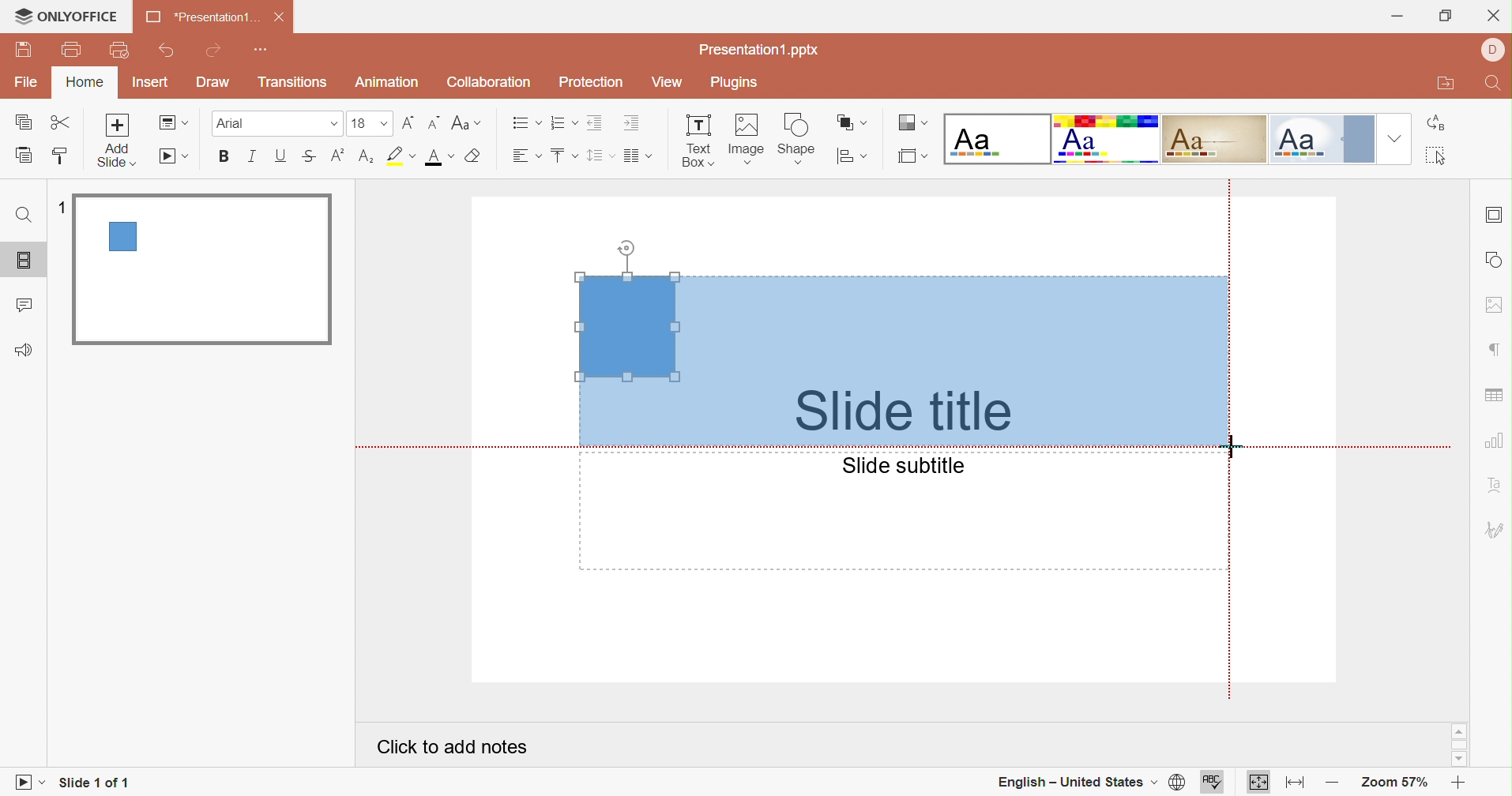 The width and height of the screenshot is (1512, 796). What do you see at coordinates (66, 14) in the screenshot?
I see `ONLYOFFICE` at bounding box center [66, 14].